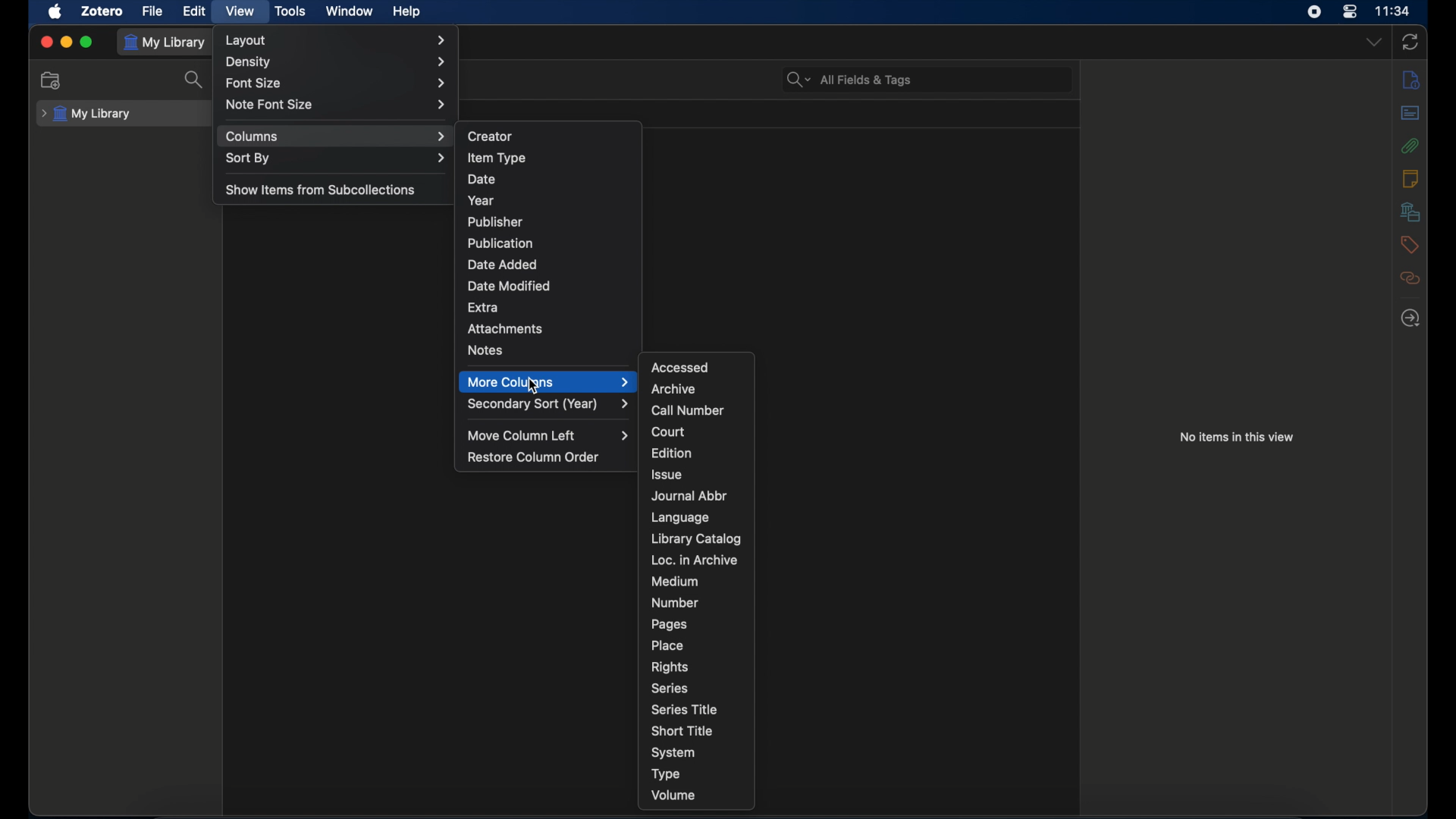 Image resolution: width=1456 pixels, height=819 pixels. I want to click on locate, so click(1410, 318).